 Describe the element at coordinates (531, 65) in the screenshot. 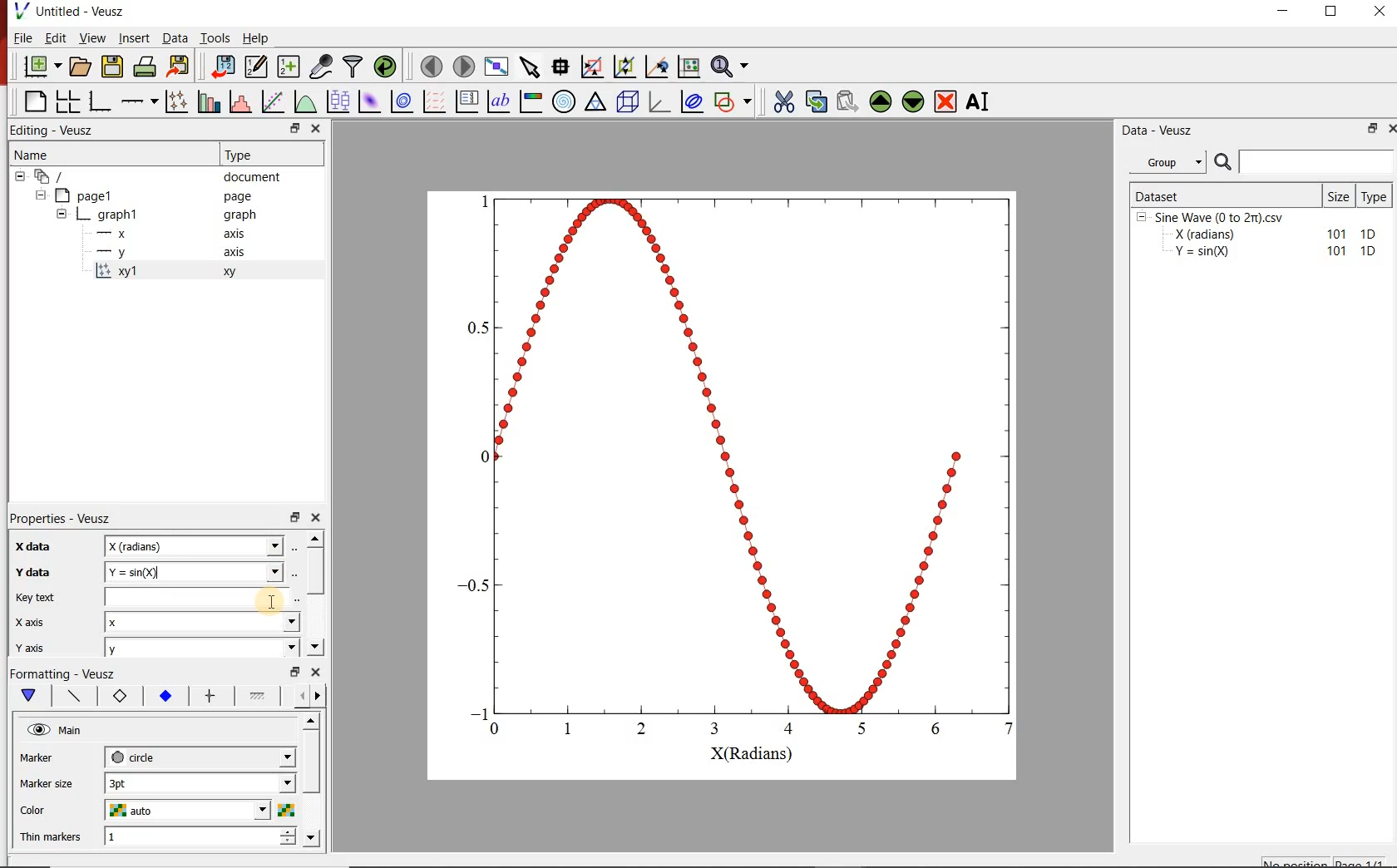

I see `select item from graph` at that location.